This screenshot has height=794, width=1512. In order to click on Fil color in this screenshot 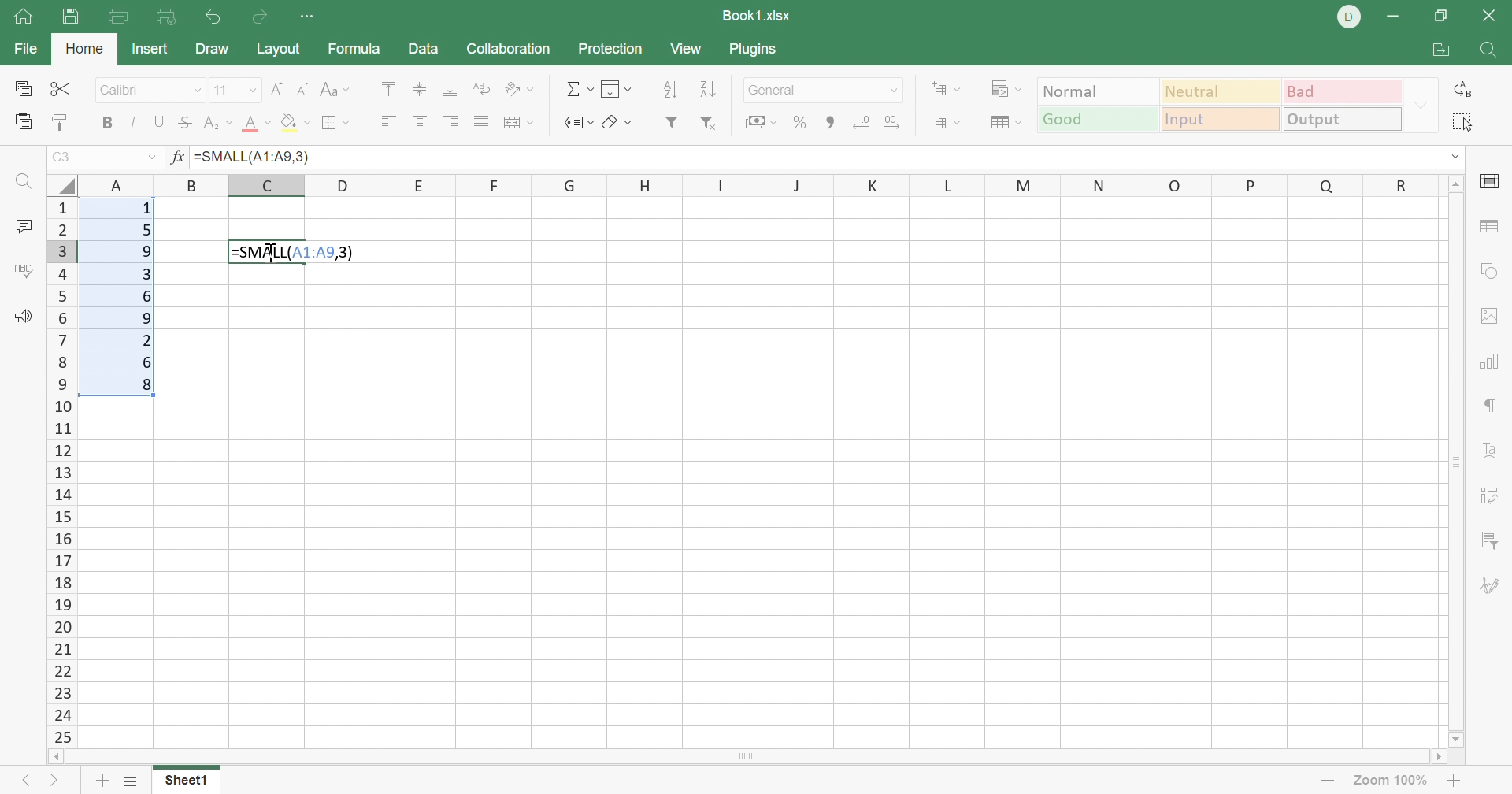, I will do `click(294, 122)`.